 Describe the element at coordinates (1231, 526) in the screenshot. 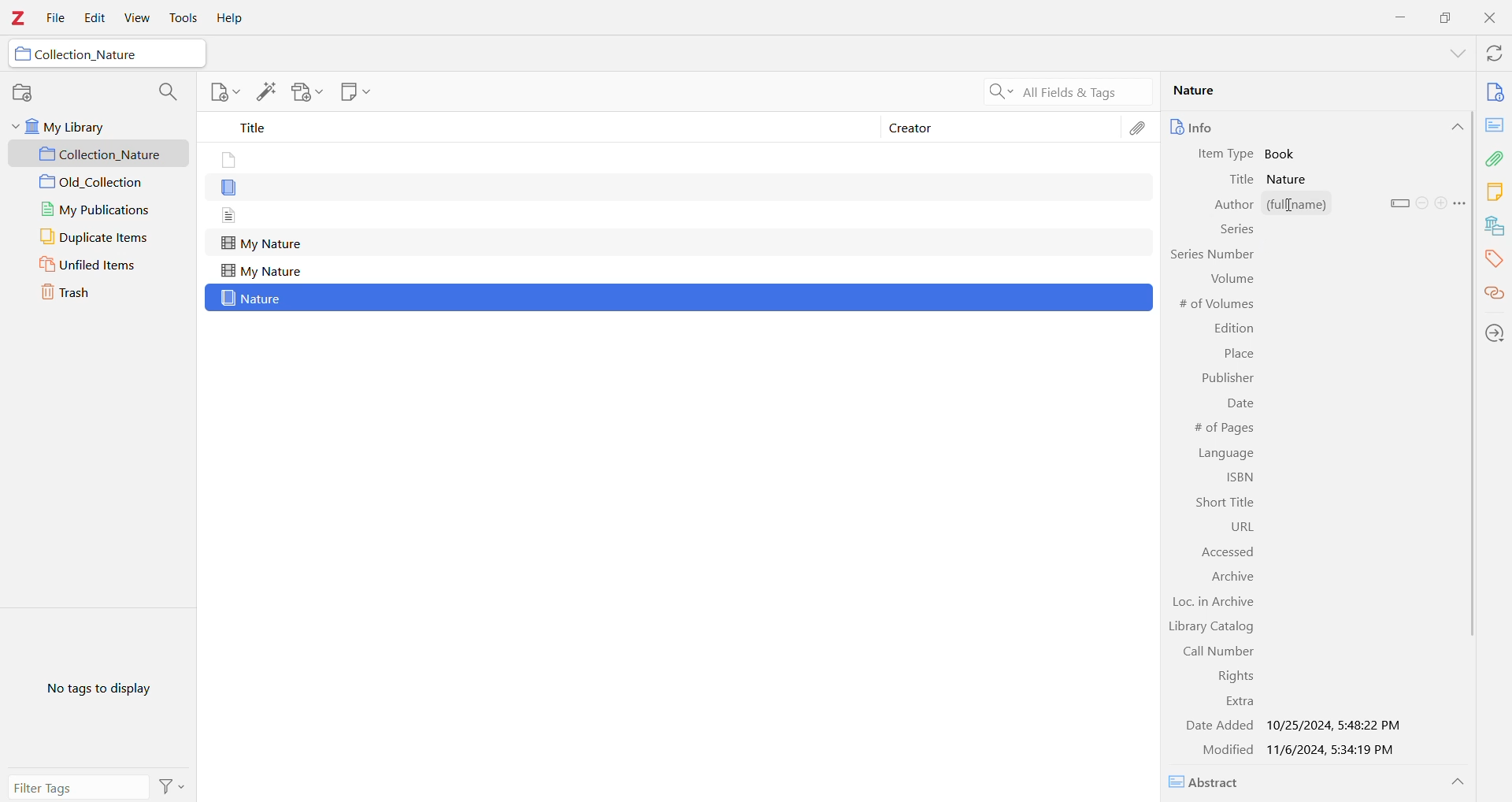

I see `URL` at that location.